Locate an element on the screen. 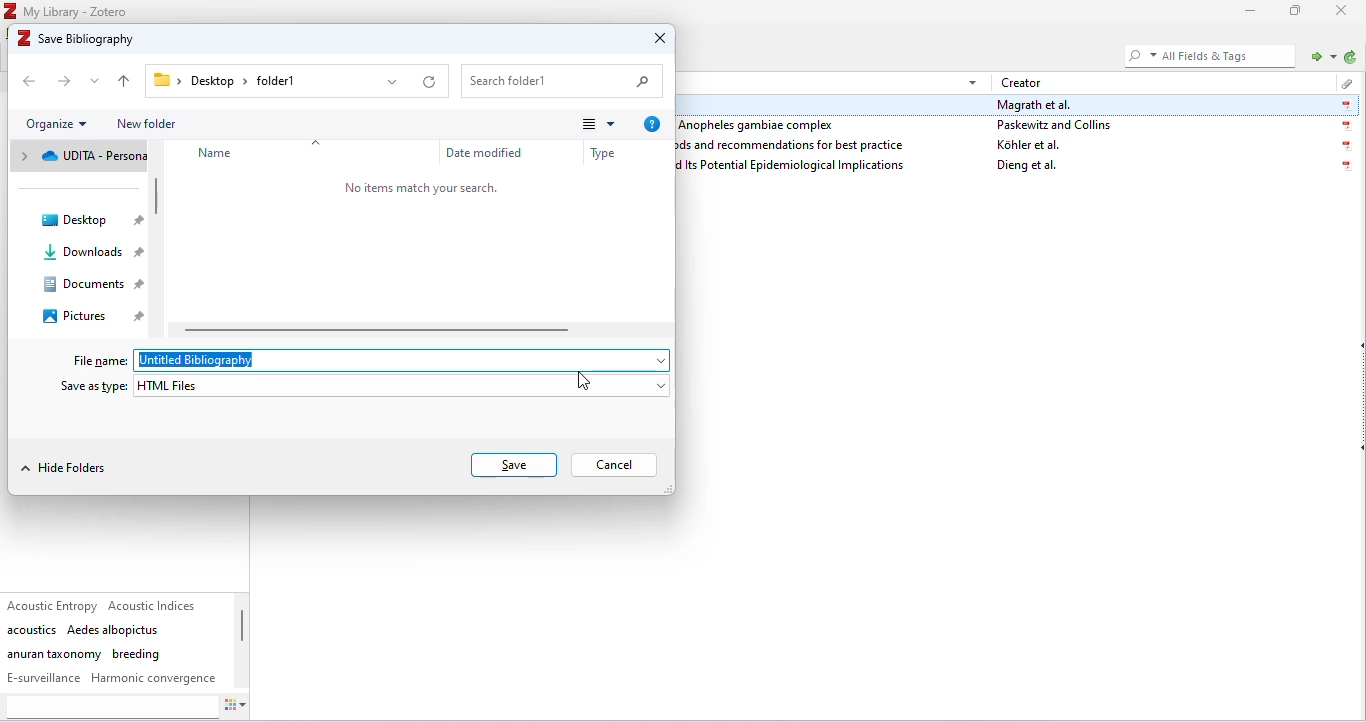 The width and height of the screenshot is (1366, 722). refresh is located at coordinates (430, 83).